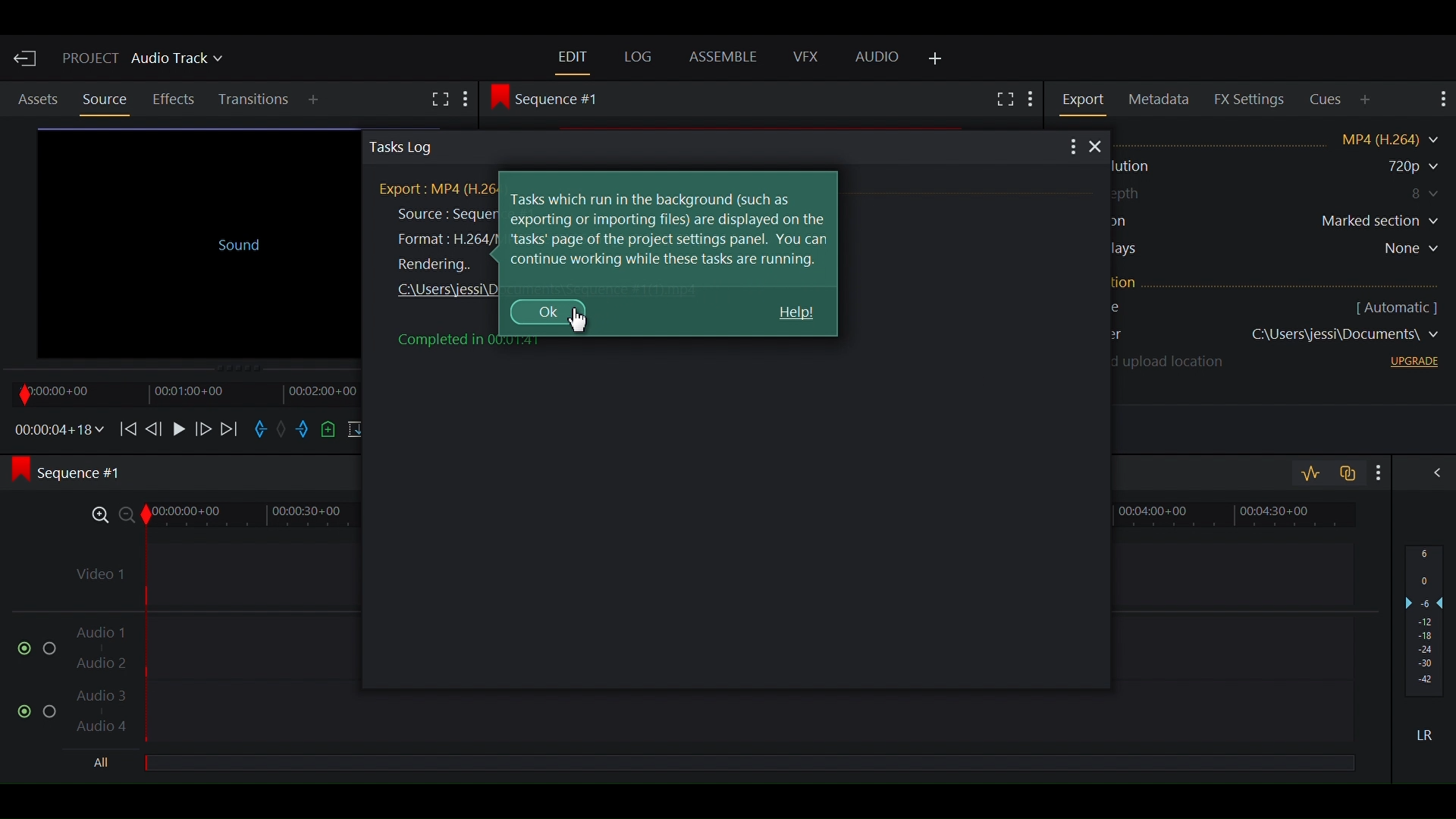  What do you see at coordinates (357, 431) in the screenshot?
I see `Replace into the target sequence` at bounding box center [357, 431].